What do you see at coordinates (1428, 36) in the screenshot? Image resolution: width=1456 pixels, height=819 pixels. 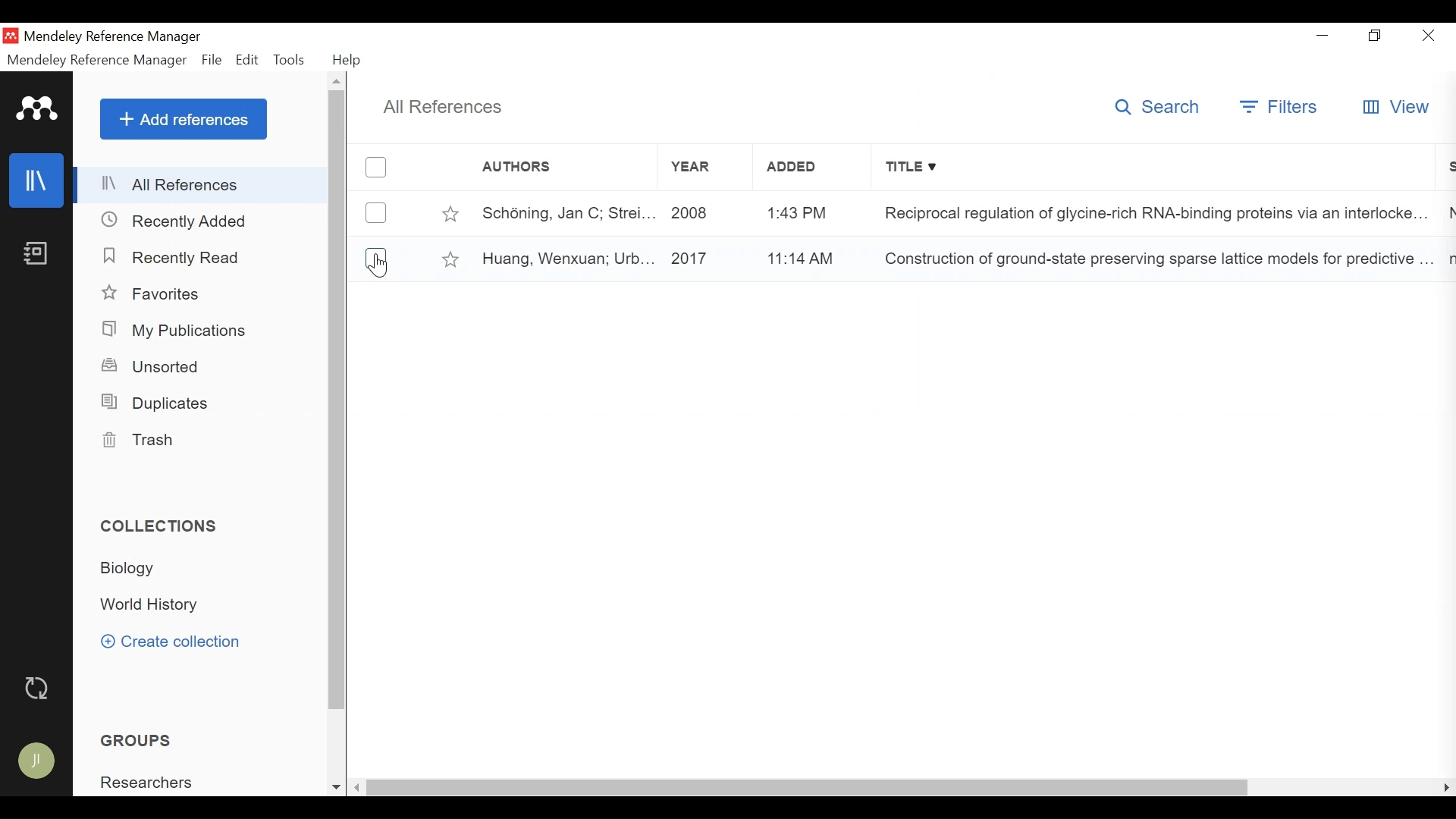 I see `Close` at bounding box center [1428, 36].